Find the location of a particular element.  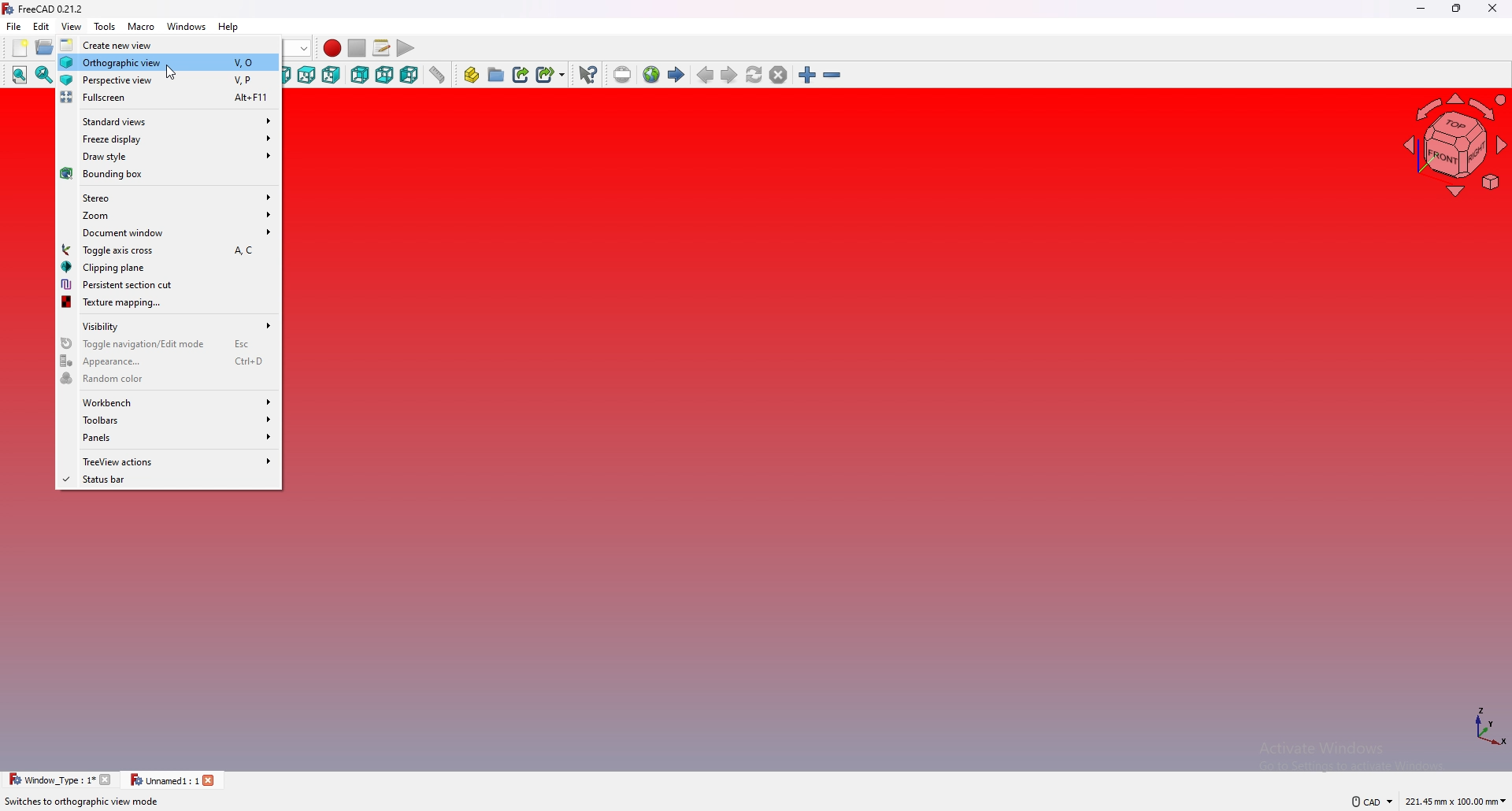

start page is located at coordinates (676, 74).